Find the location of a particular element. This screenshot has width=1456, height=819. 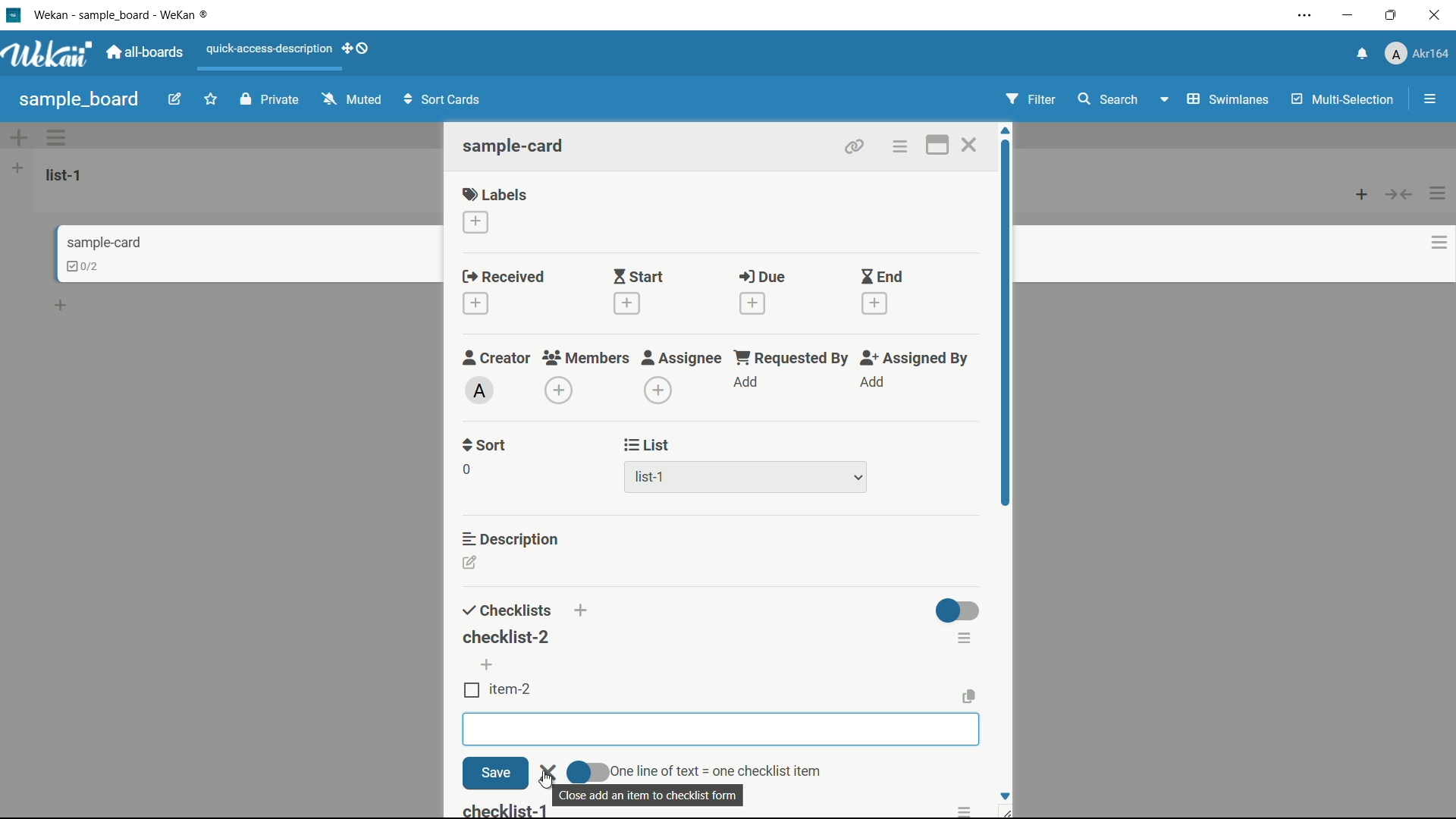

assignee is located at coordinates (682, 358).